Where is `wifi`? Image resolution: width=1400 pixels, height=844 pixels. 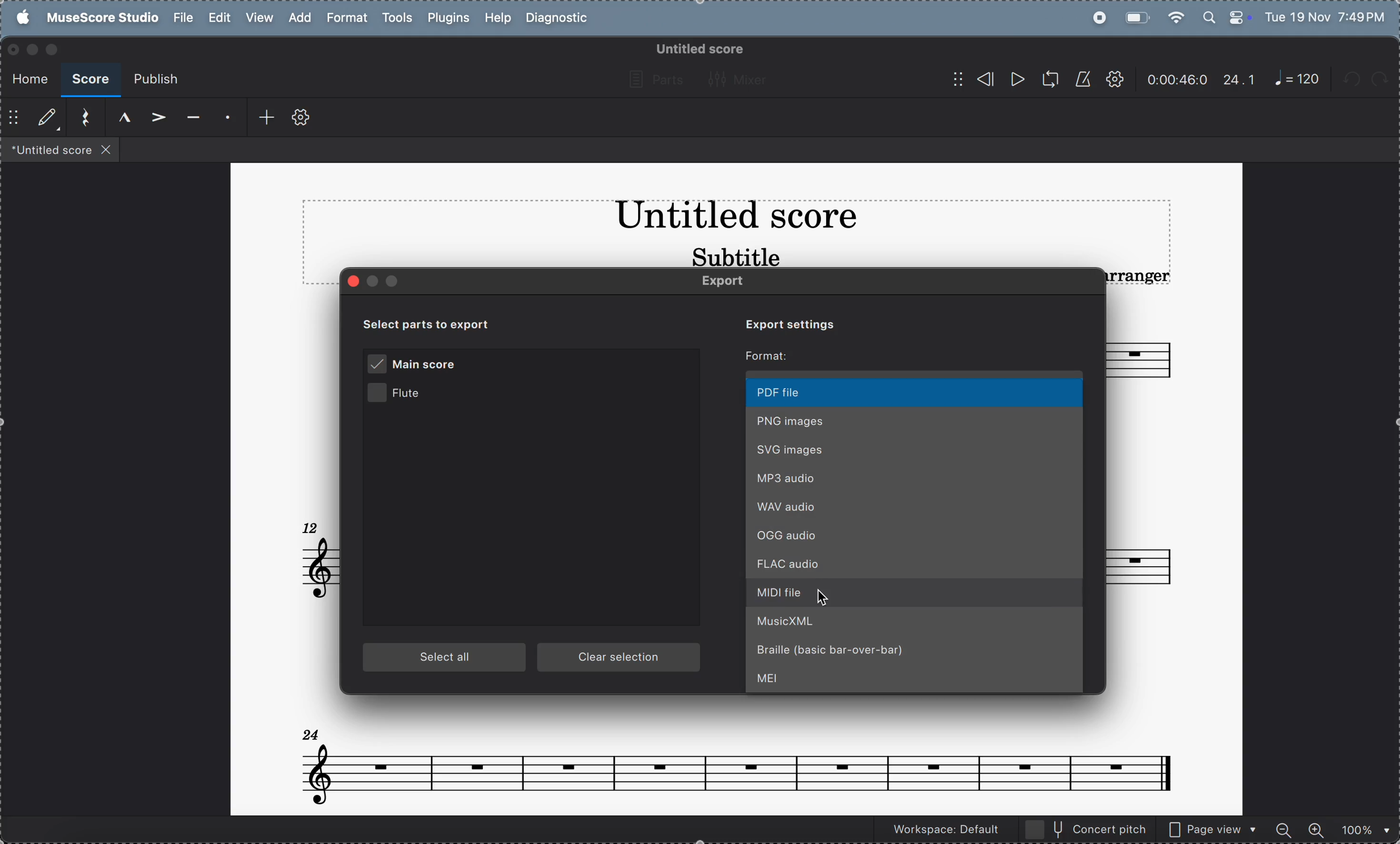
wifi is located at coordinates (1177, 17).